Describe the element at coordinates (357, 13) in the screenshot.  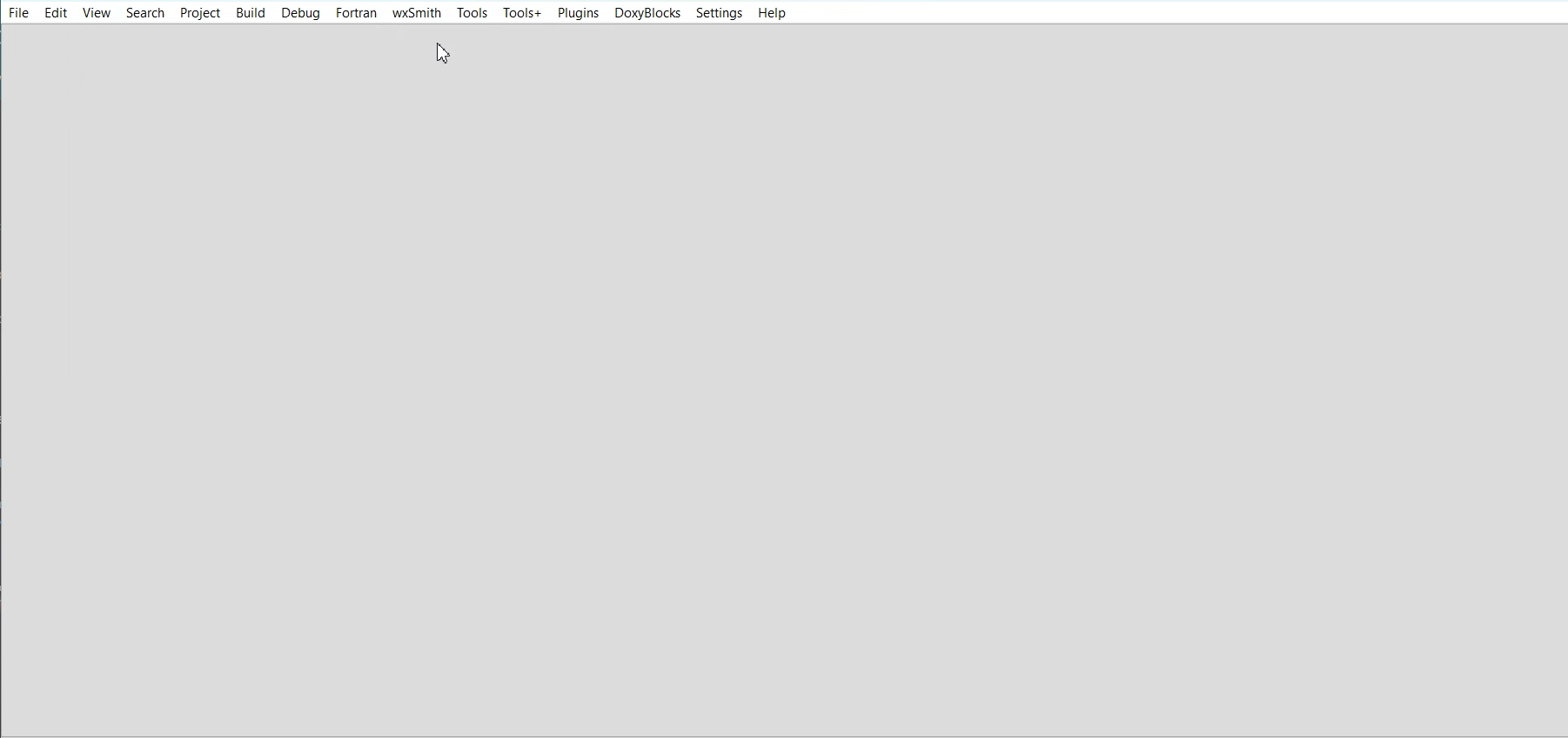
I see `Fortran` at that location.